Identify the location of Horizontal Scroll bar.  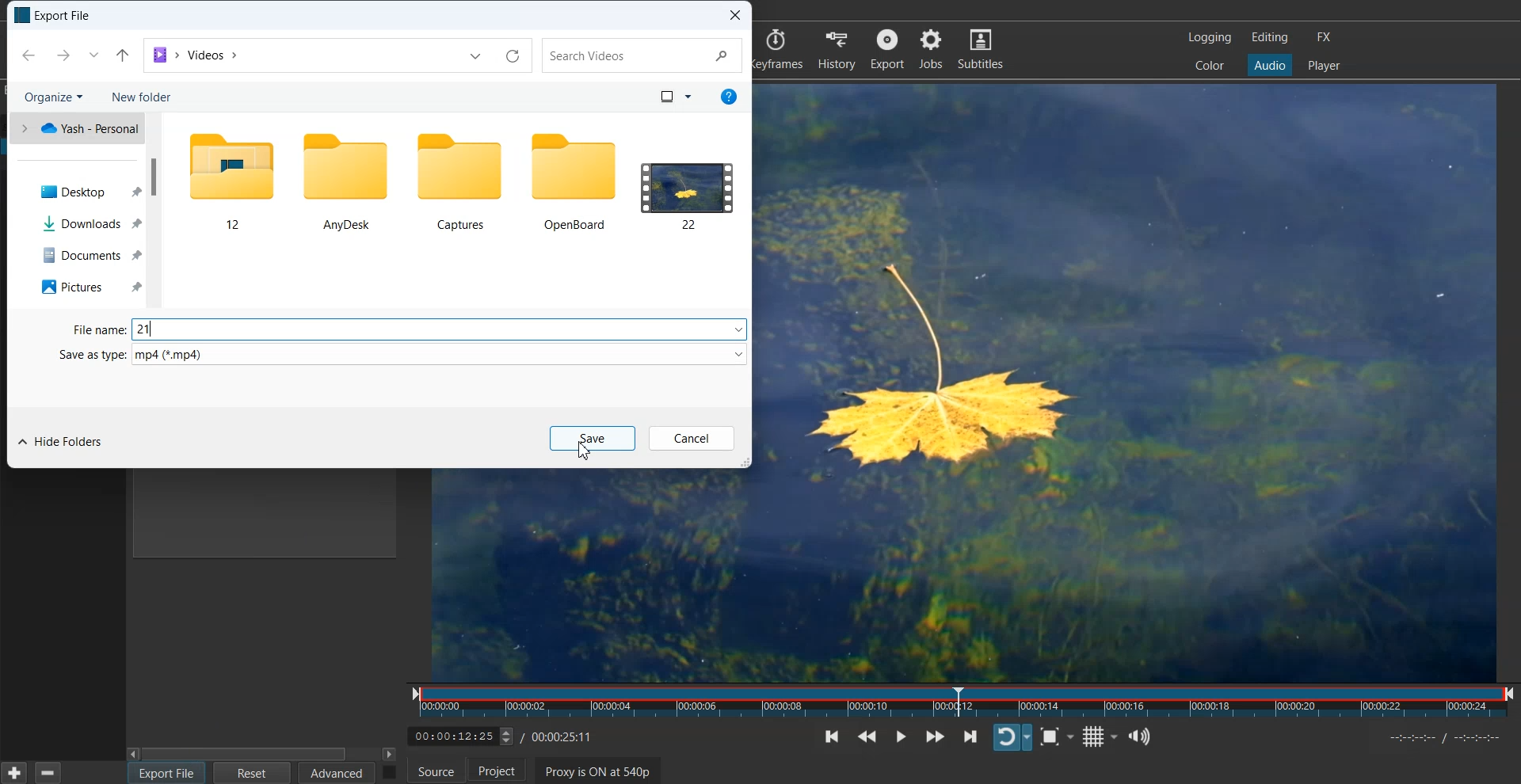
(262, 751).